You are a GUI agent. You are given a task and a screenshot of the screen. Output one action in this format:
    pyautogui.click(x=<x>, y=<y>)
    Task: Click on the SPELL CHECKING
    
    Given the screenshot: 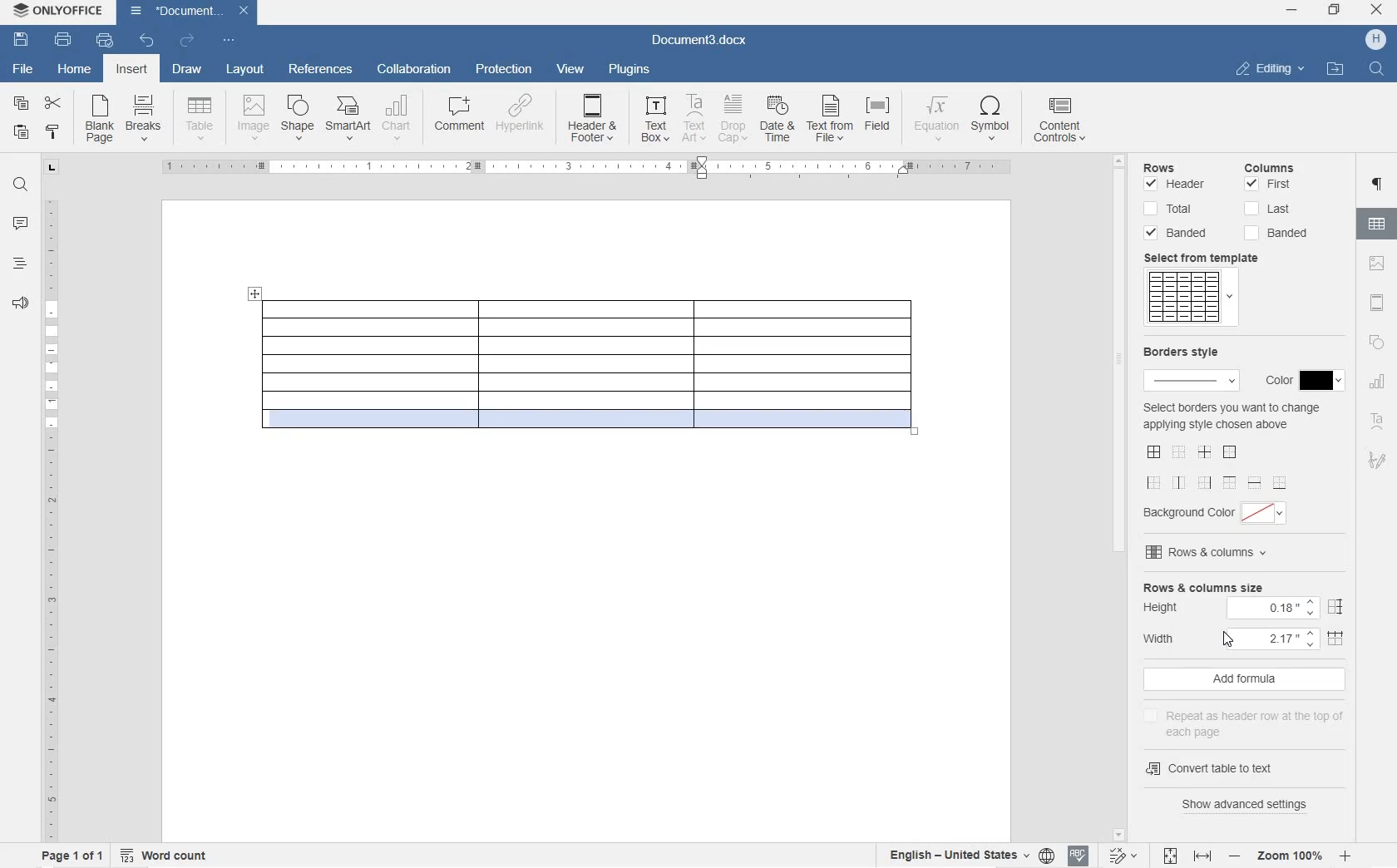 What is the action you would take?
    pyautogui.click(x=1078, y=857)
    